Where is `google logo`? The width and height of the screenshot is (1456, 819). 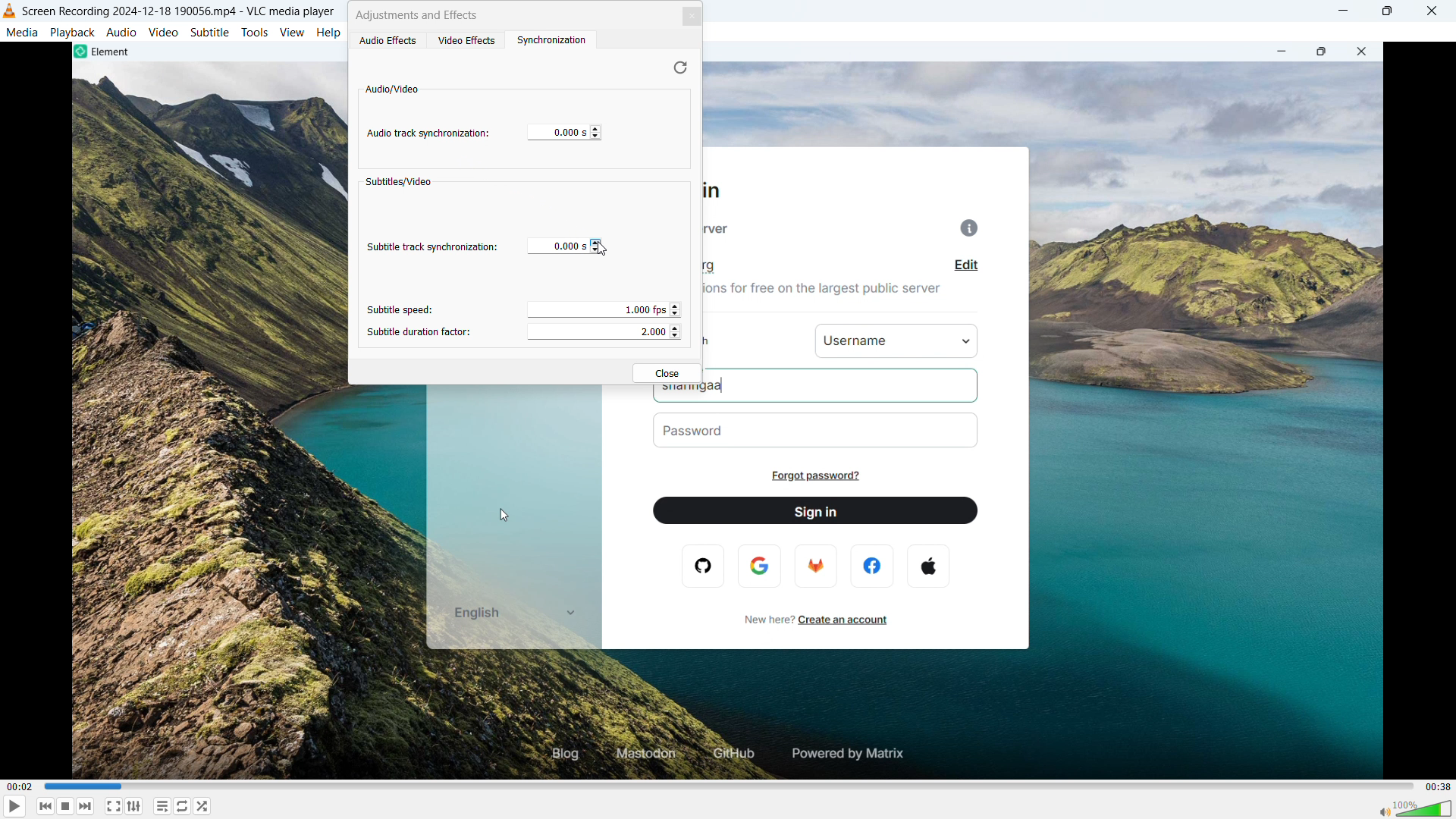 google logo is located at coordinates (761, 565).